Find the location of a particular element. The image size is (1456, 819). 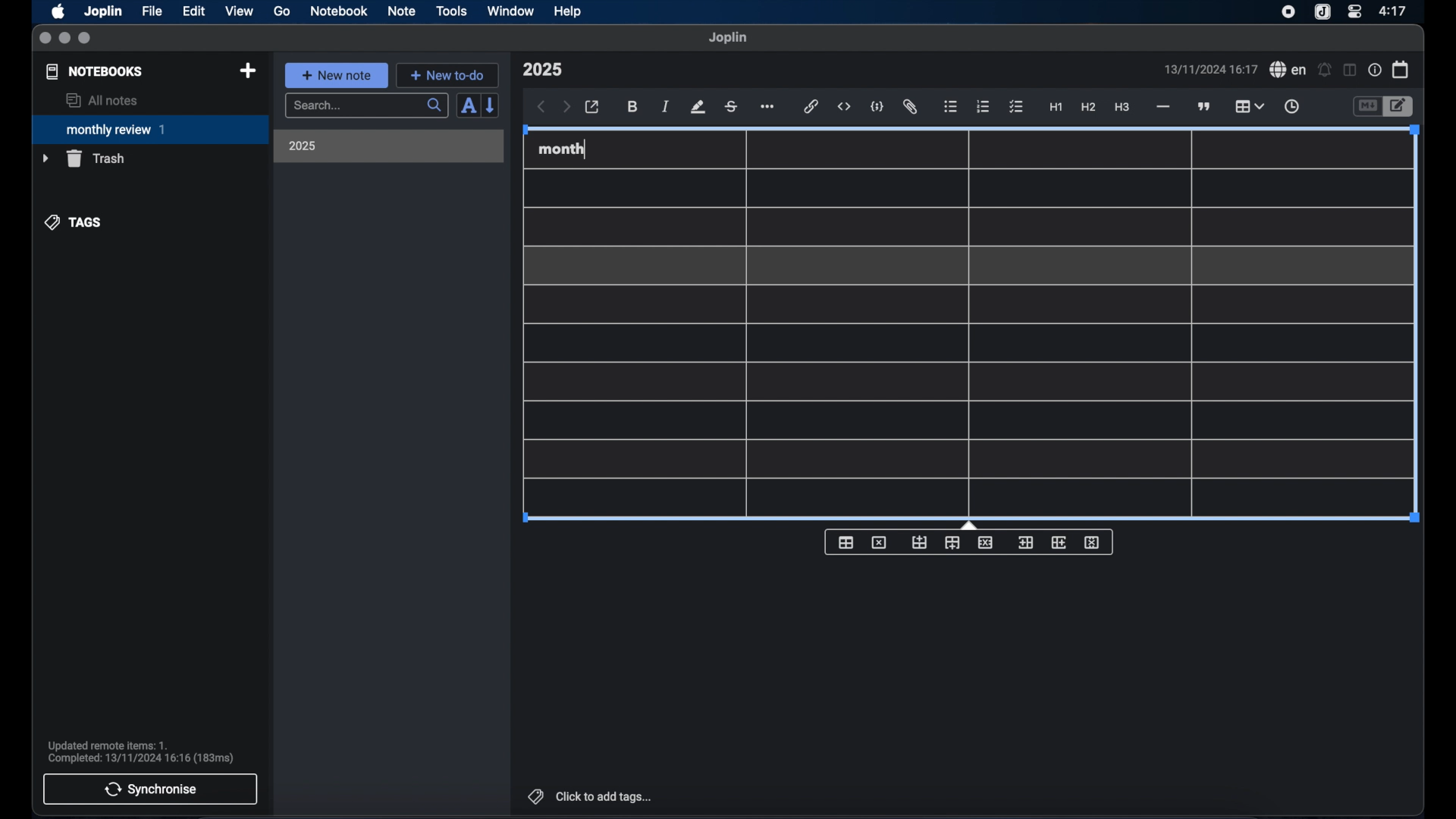

bold is located at coordinates (634, 107).